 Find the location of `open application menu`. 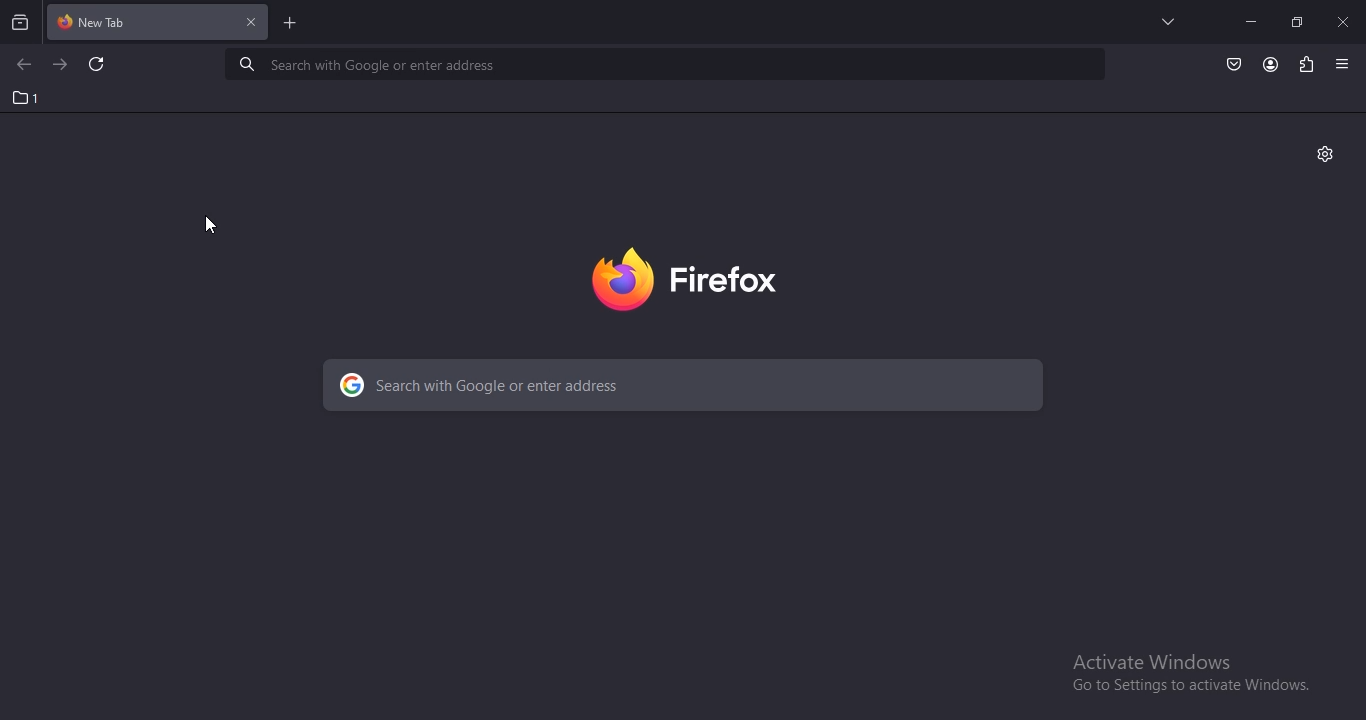

open application menu is located at coordinates (1345, 64).